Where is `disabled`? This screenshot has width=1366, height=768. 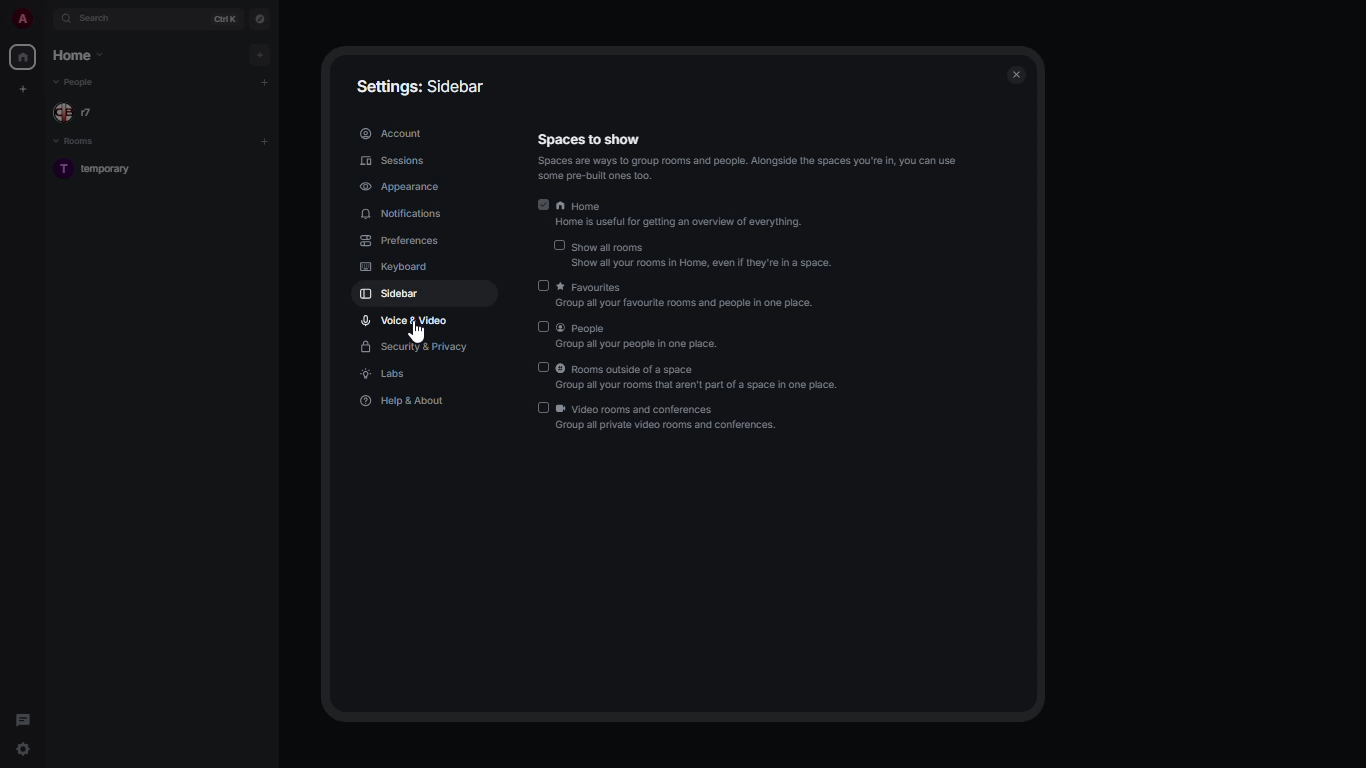 disabled is located at coordinates (543, 366).